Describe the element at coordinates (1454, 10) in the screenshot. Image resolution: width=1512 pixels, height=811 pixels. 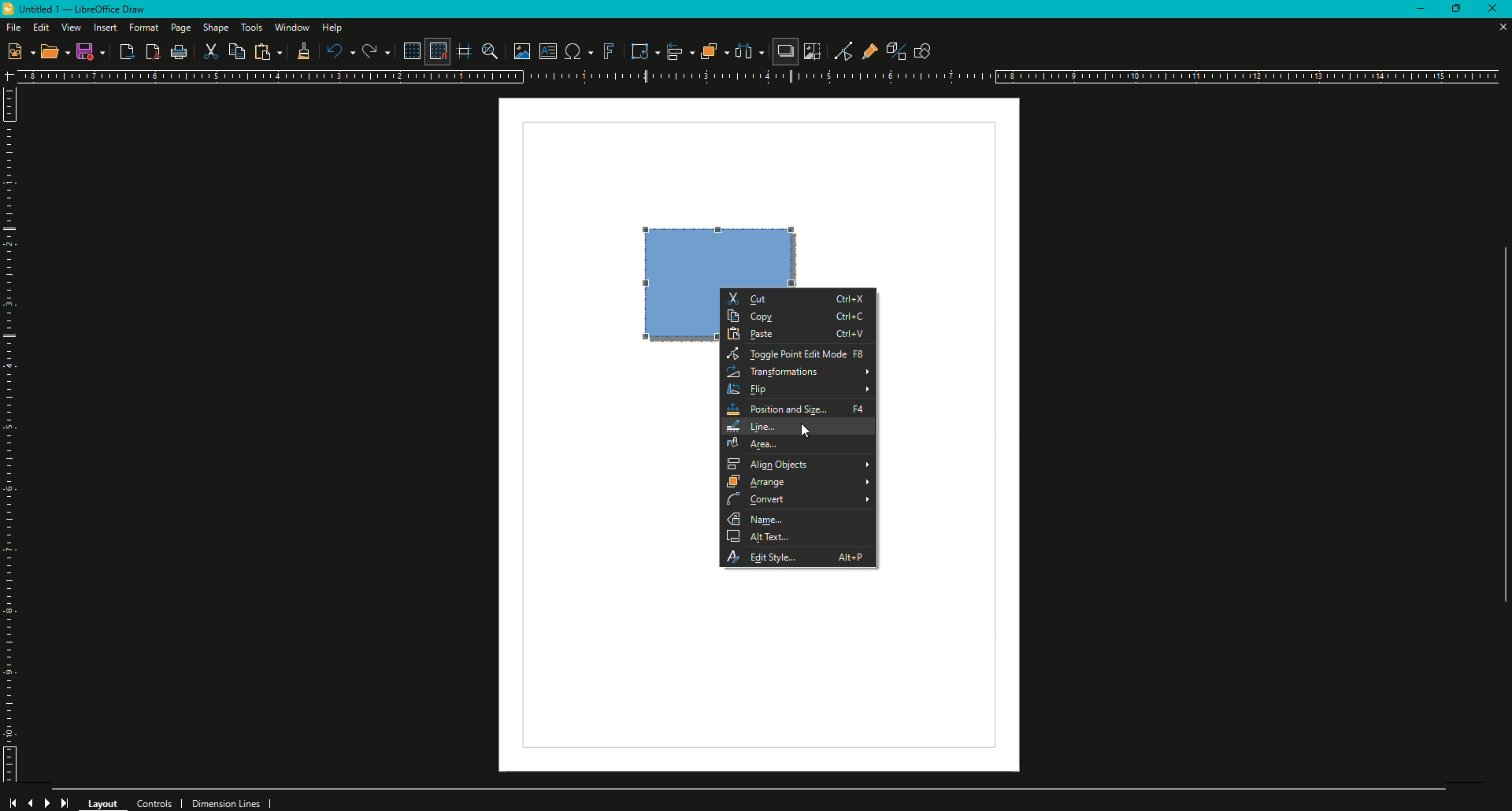
I see `Restore` at that location.